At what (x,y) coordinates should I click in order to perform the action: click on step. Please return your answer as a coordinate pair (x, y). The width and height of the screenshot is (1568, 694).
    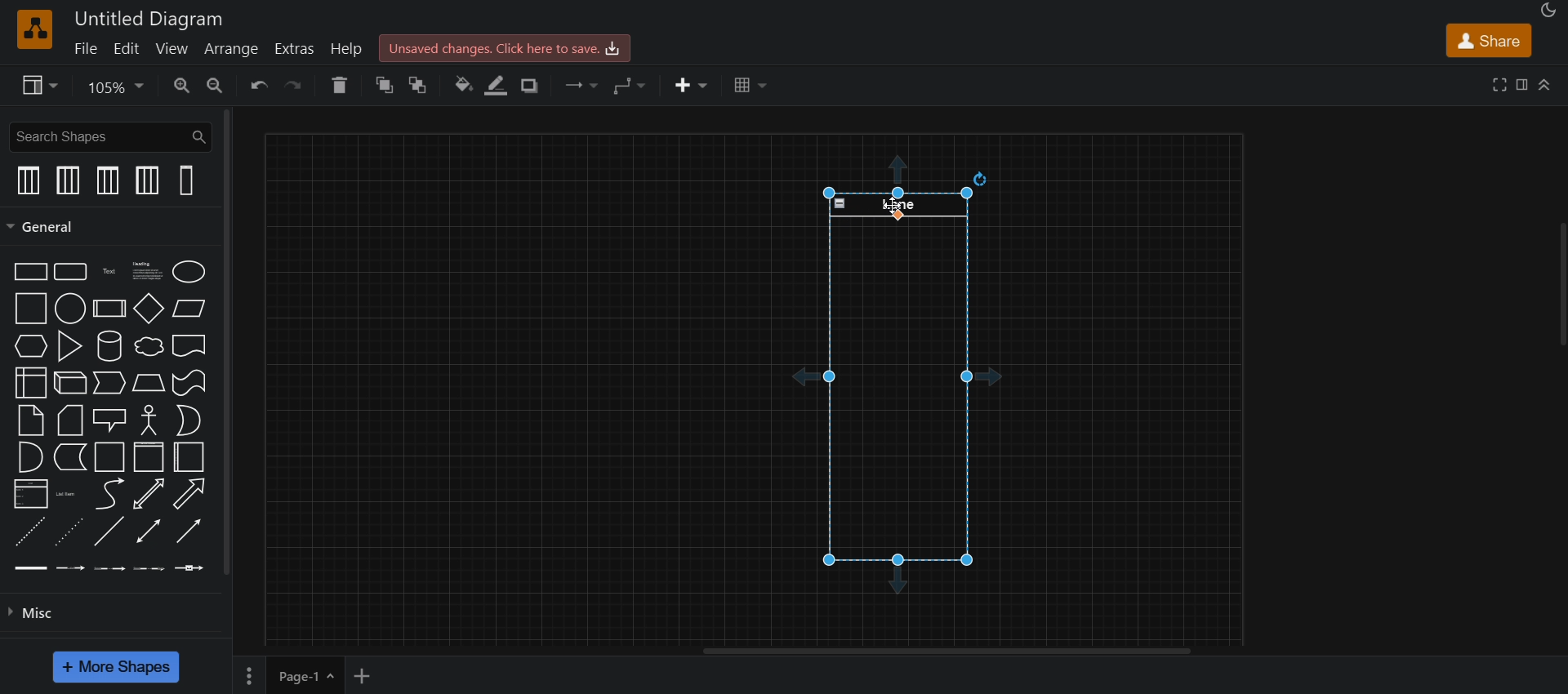
    Looking at the image, I should click on (109, 383).